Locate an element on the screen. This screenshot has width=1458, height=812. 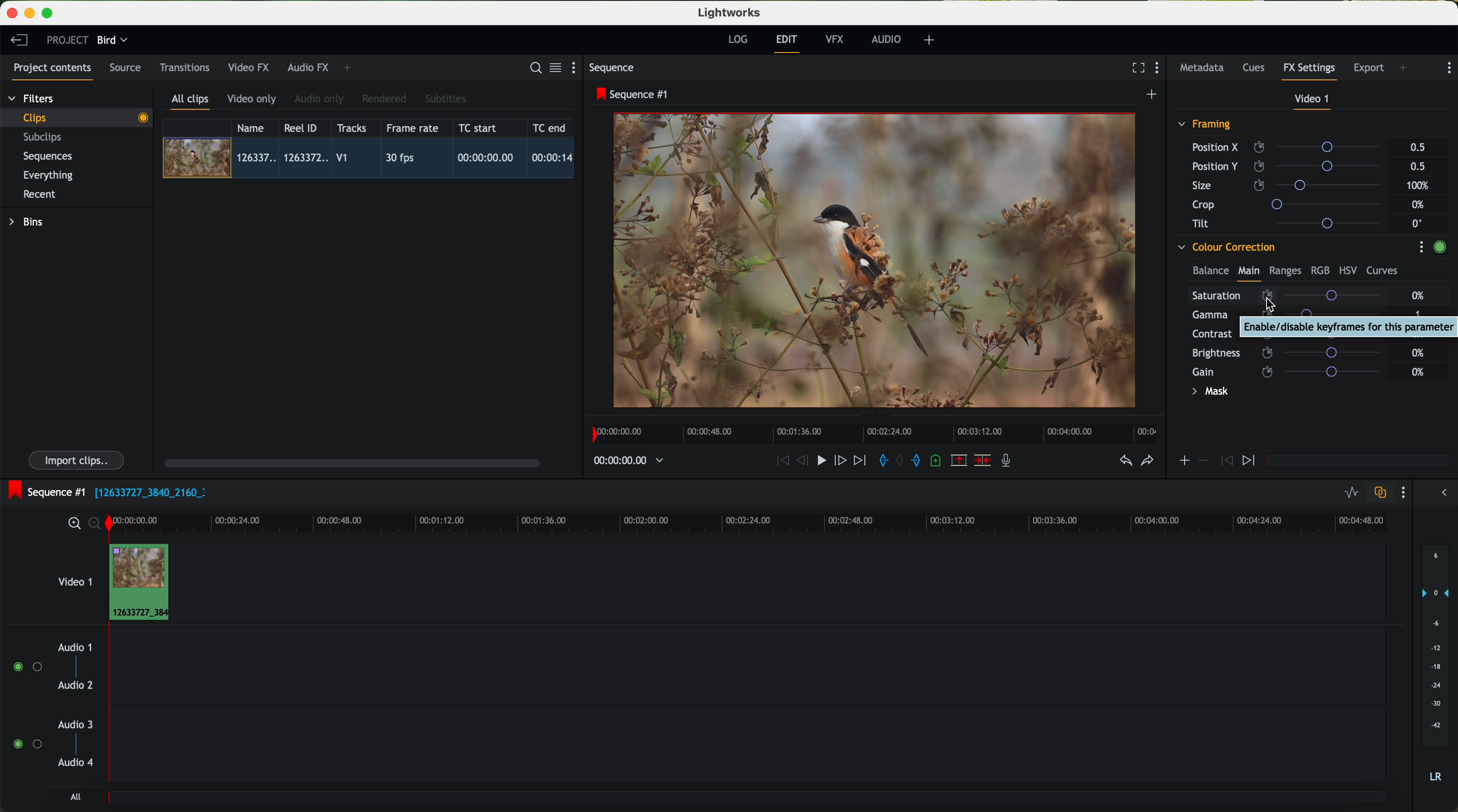
remove the marked section is located at coordinates (960, 461).